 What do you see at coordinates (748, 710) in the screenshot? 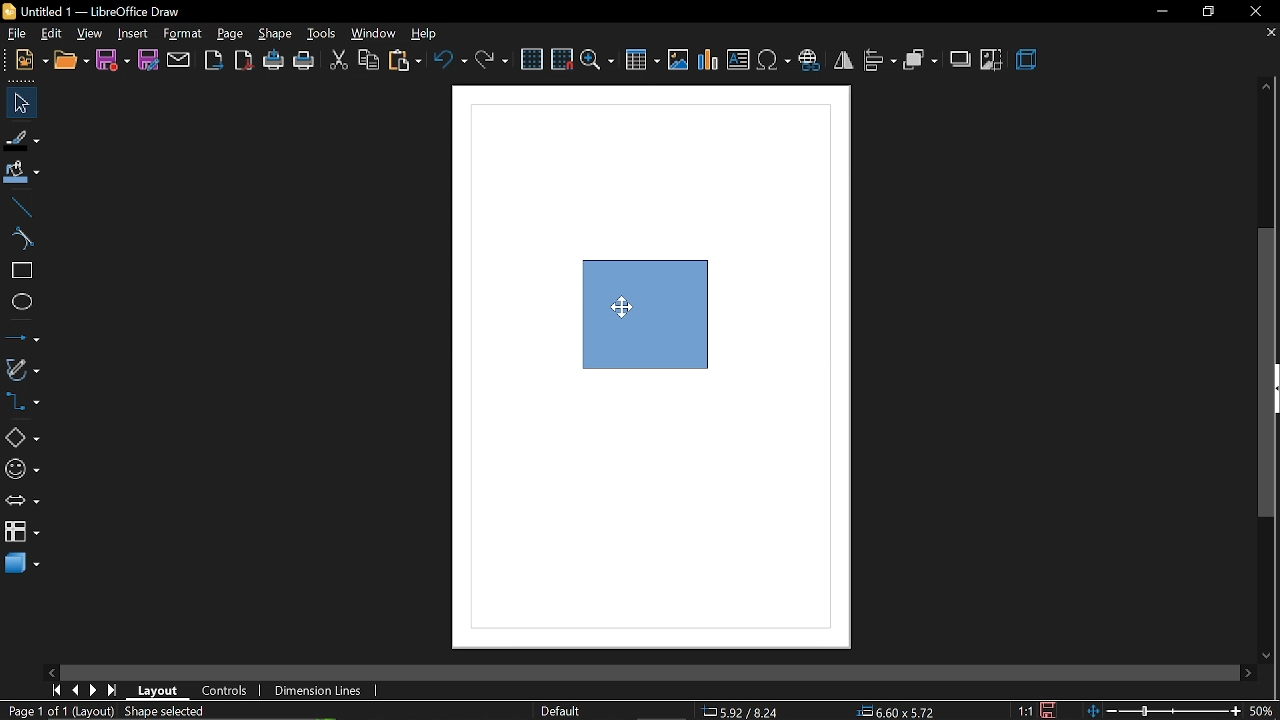
I see `co-ordinate (5.92/8.24)` at bounding box center [748, 710].